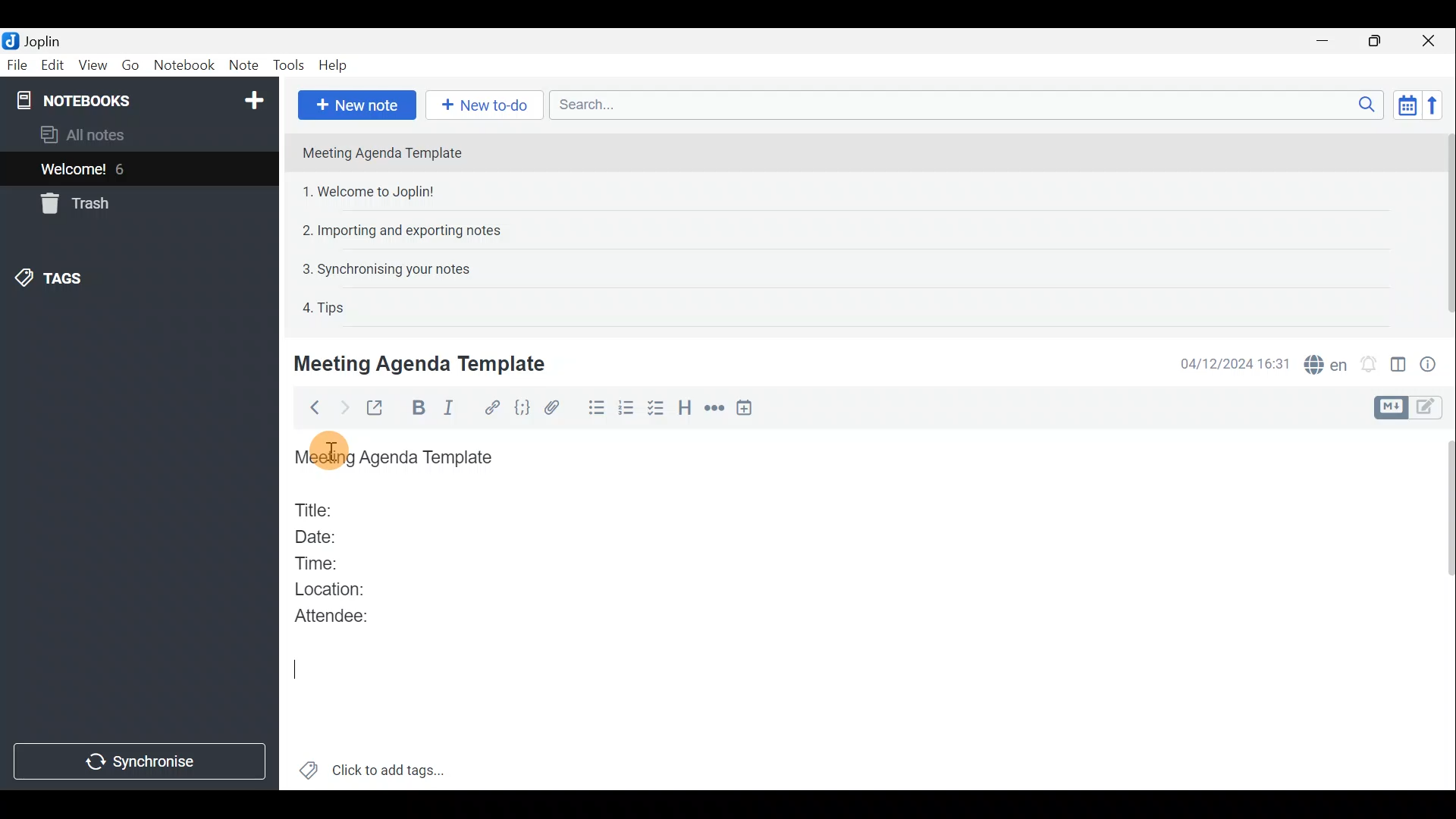 The width and height of the screenshot is (1456, 819). Describe the element at coordinates (1325, 40) in the screenshot. I see `Minimise` at that location.